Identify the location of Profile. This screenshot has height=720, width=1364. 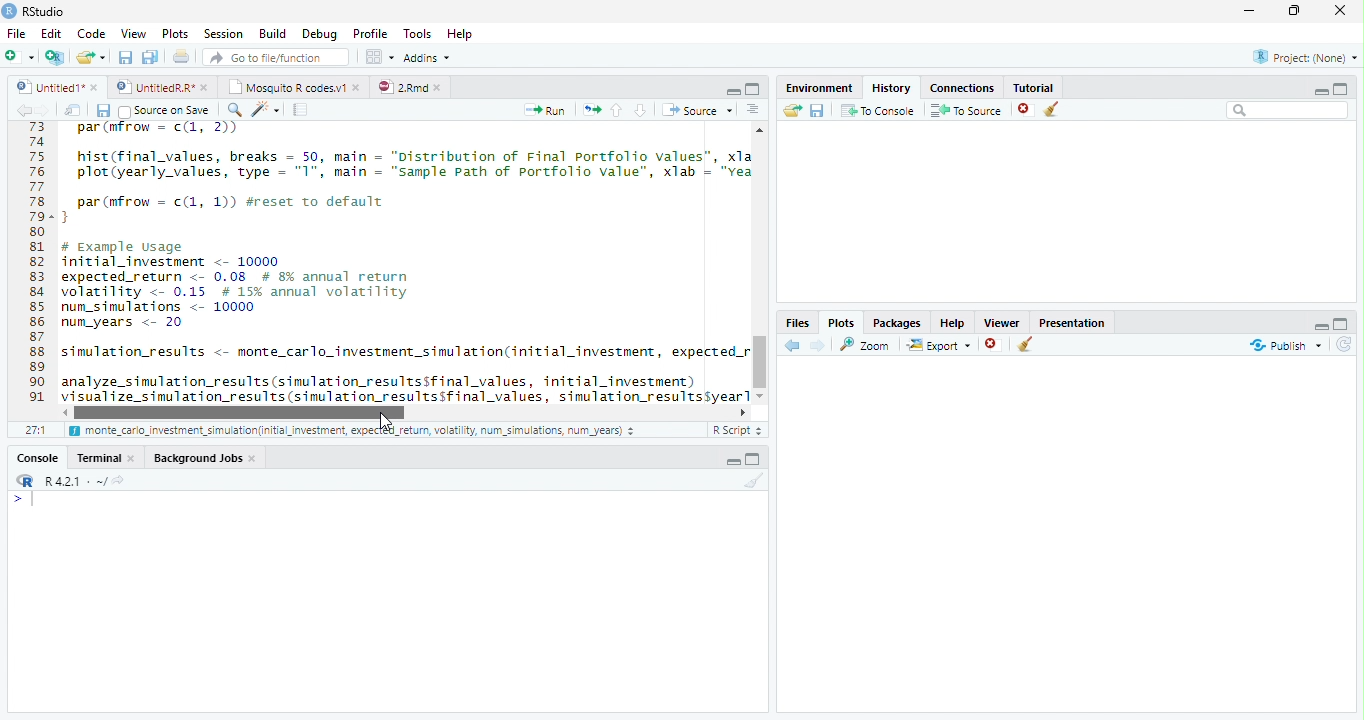
(369, 33).